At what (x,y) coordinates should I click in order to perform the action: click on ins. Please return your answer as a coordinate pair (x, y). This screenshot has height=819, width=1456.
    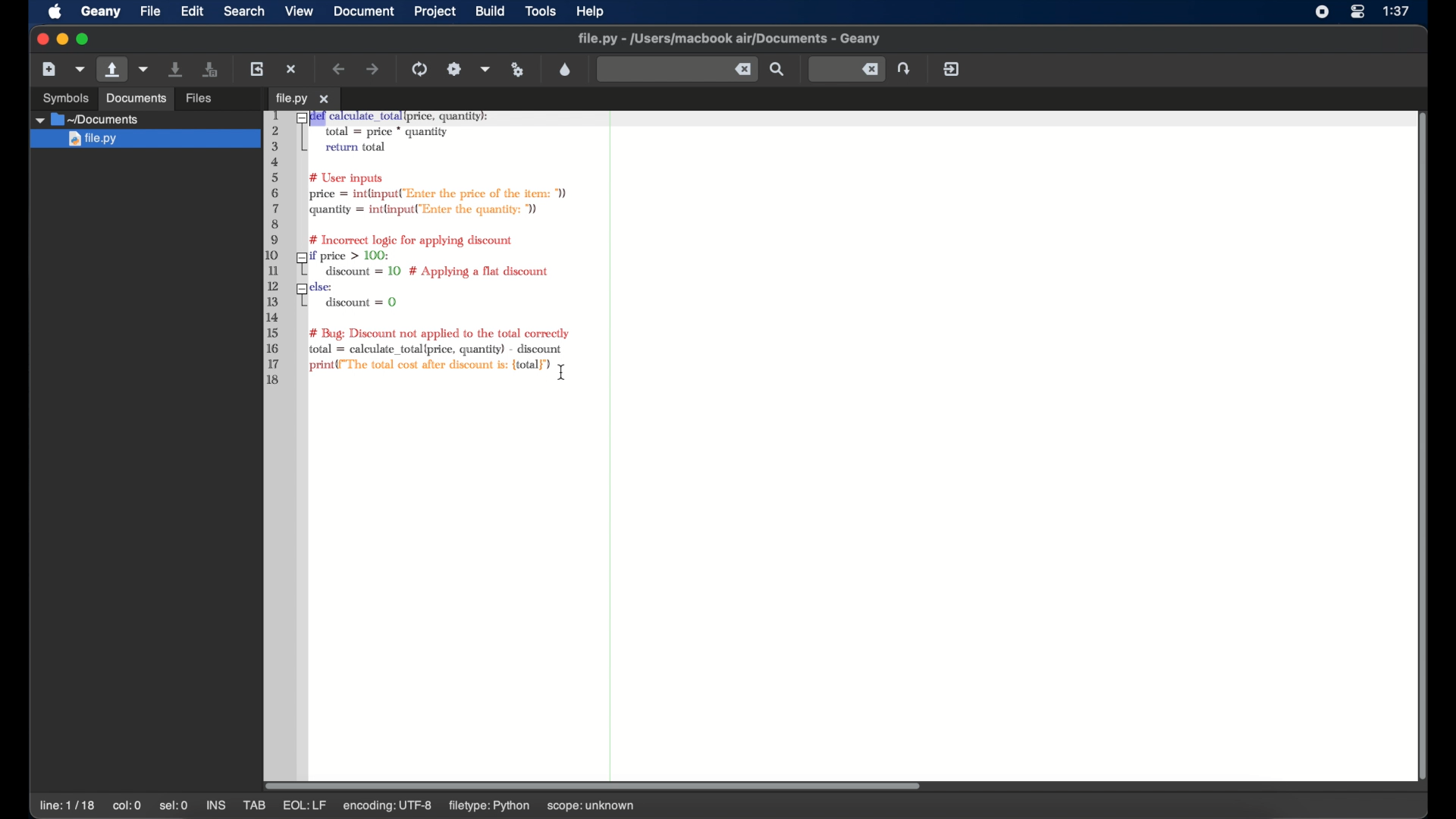
    Looking at the image, I should click on (215, 805).